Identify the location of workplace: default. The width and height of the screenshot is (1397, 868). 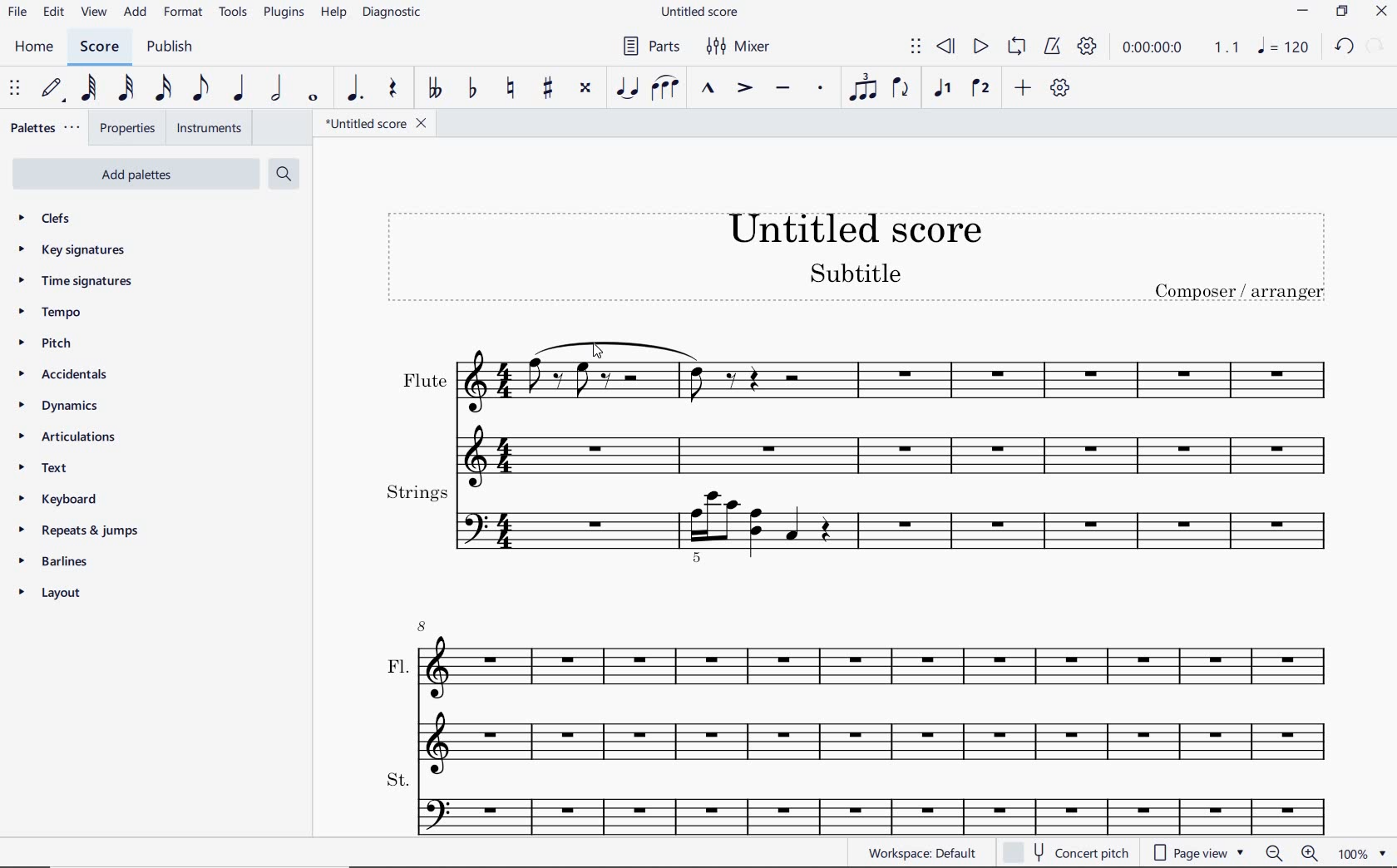
(926, 855).